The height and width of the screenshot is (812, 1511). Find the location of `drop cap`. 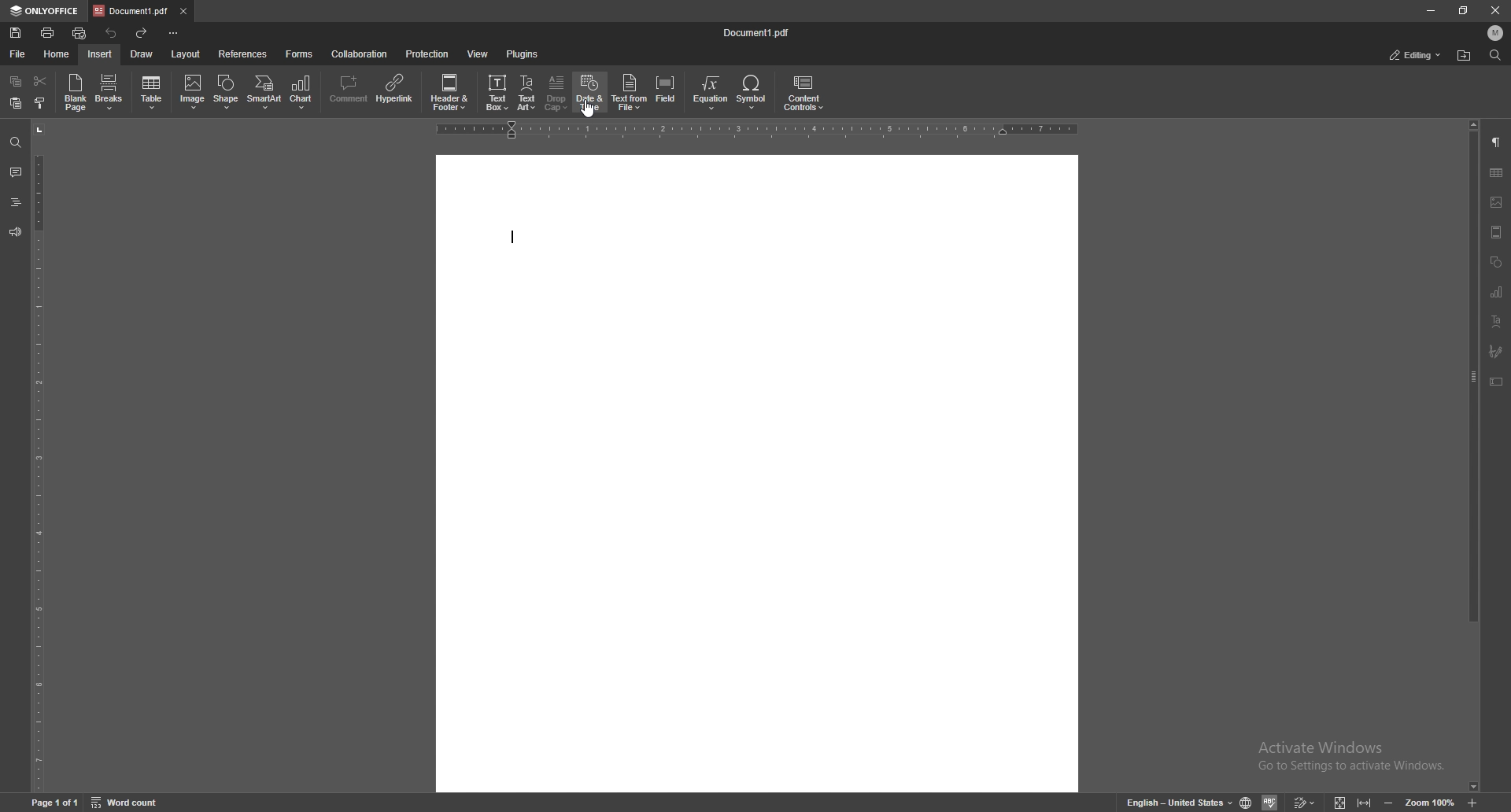

drop cap is located at coordinates (557, 93).